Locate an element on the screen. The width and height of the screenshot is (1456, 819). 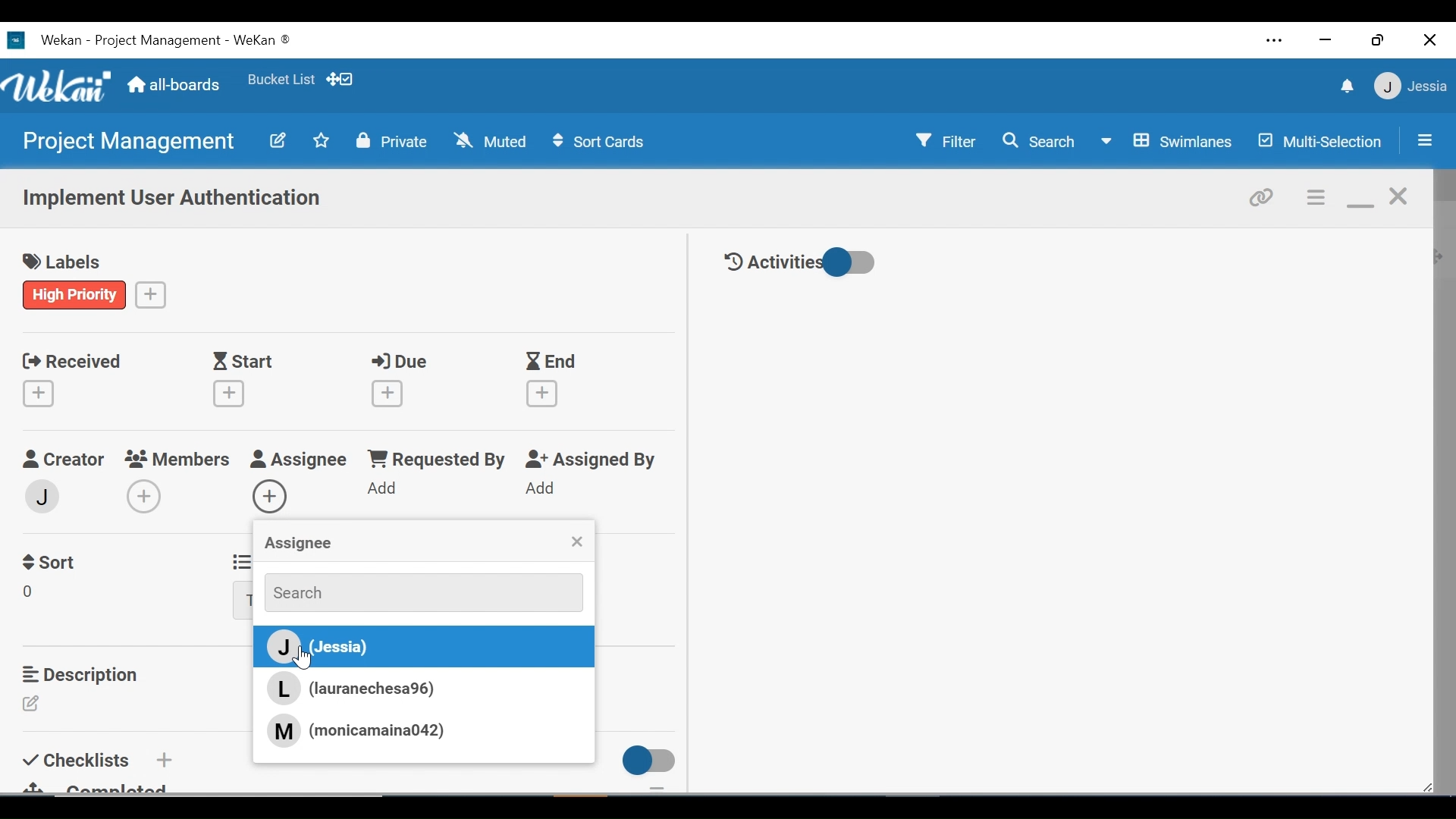
Creator is located at coordinates (62, 460).